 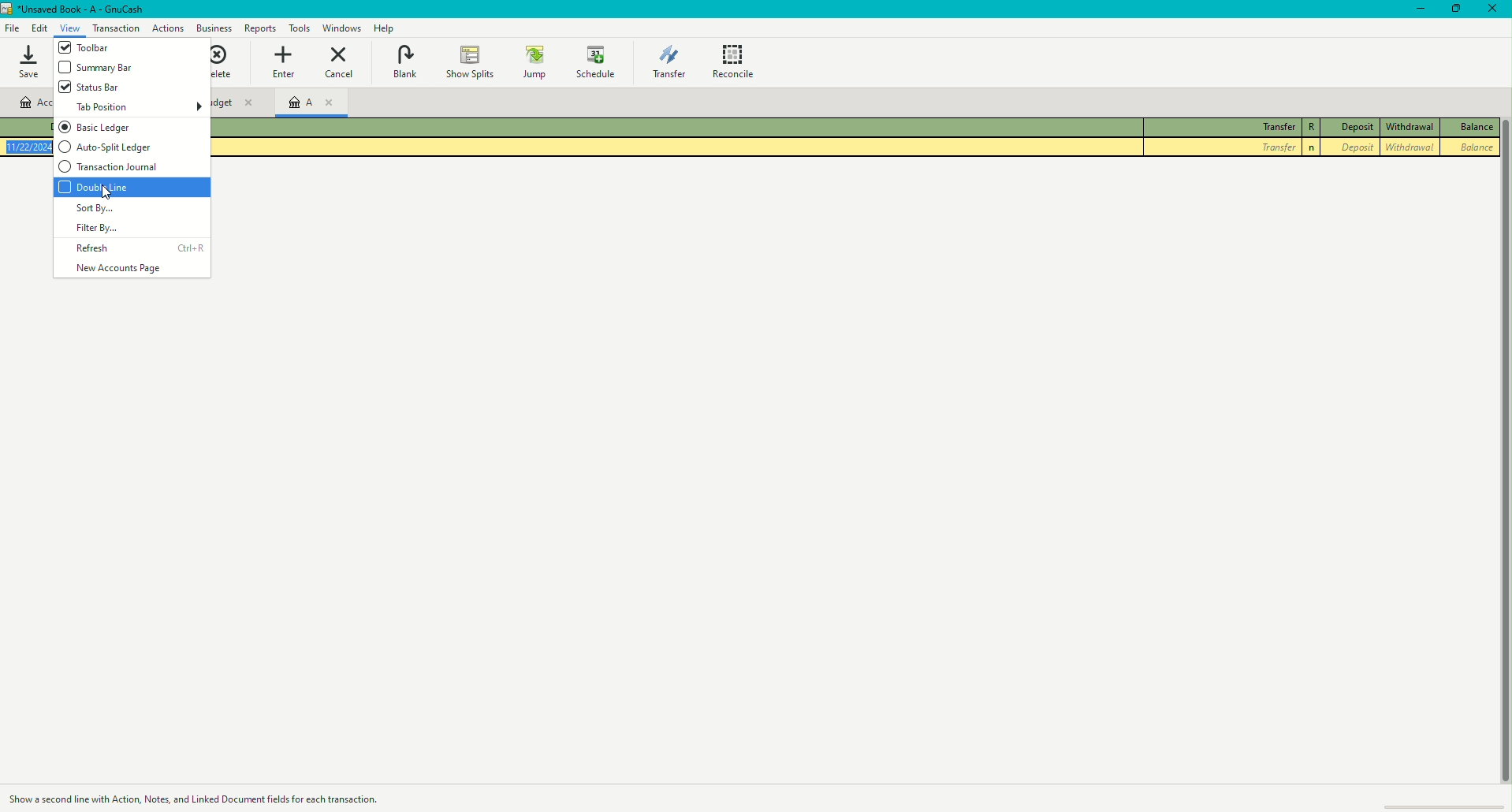 What do you see at coordinates (1312, 129) in the screenshot?
I see `R` at bounding box center [1312, 129].